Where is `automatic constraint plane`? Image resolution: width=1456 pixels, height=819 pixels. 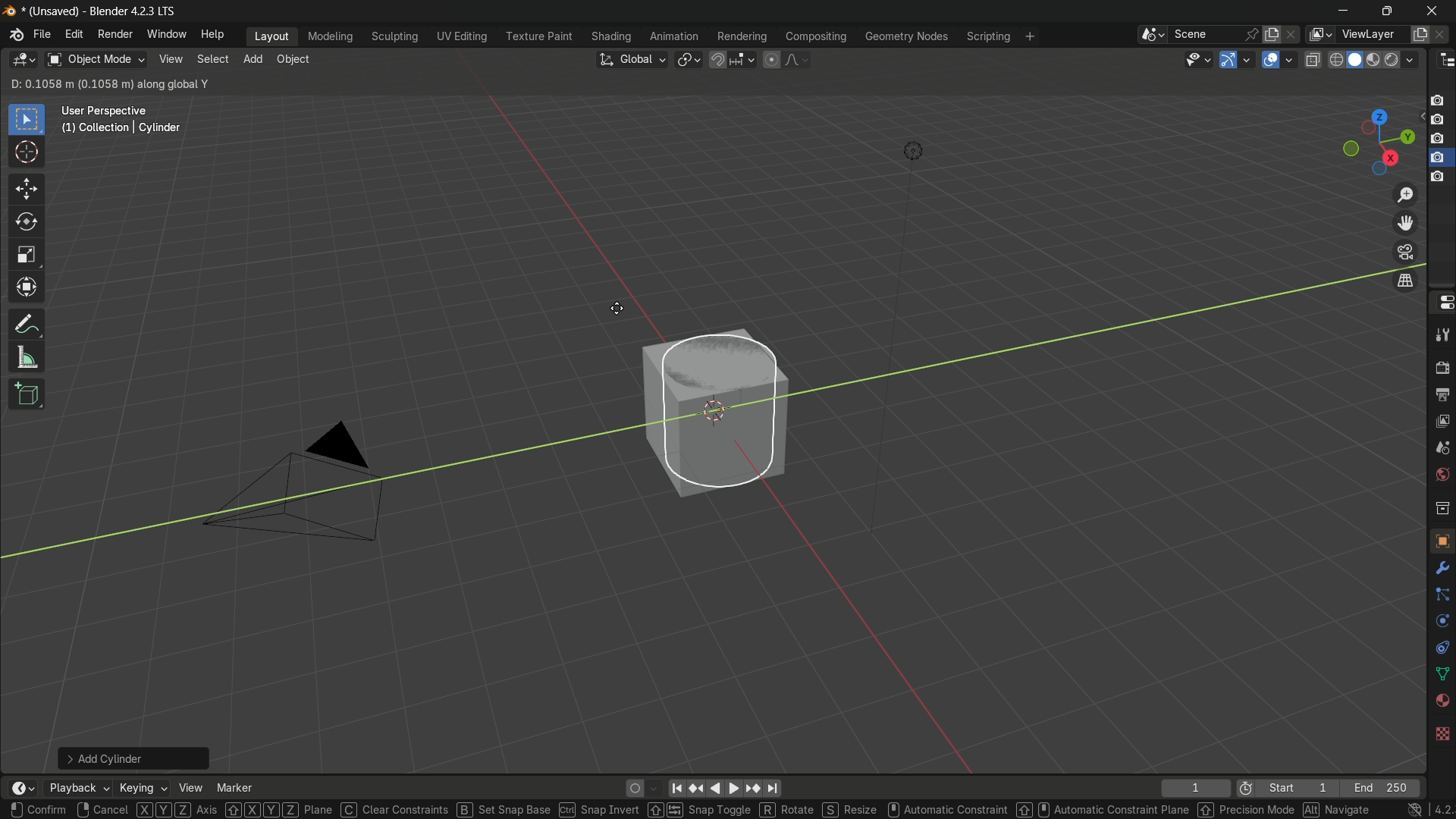 automatic constraint plane is located at coordinates (1101, 810).